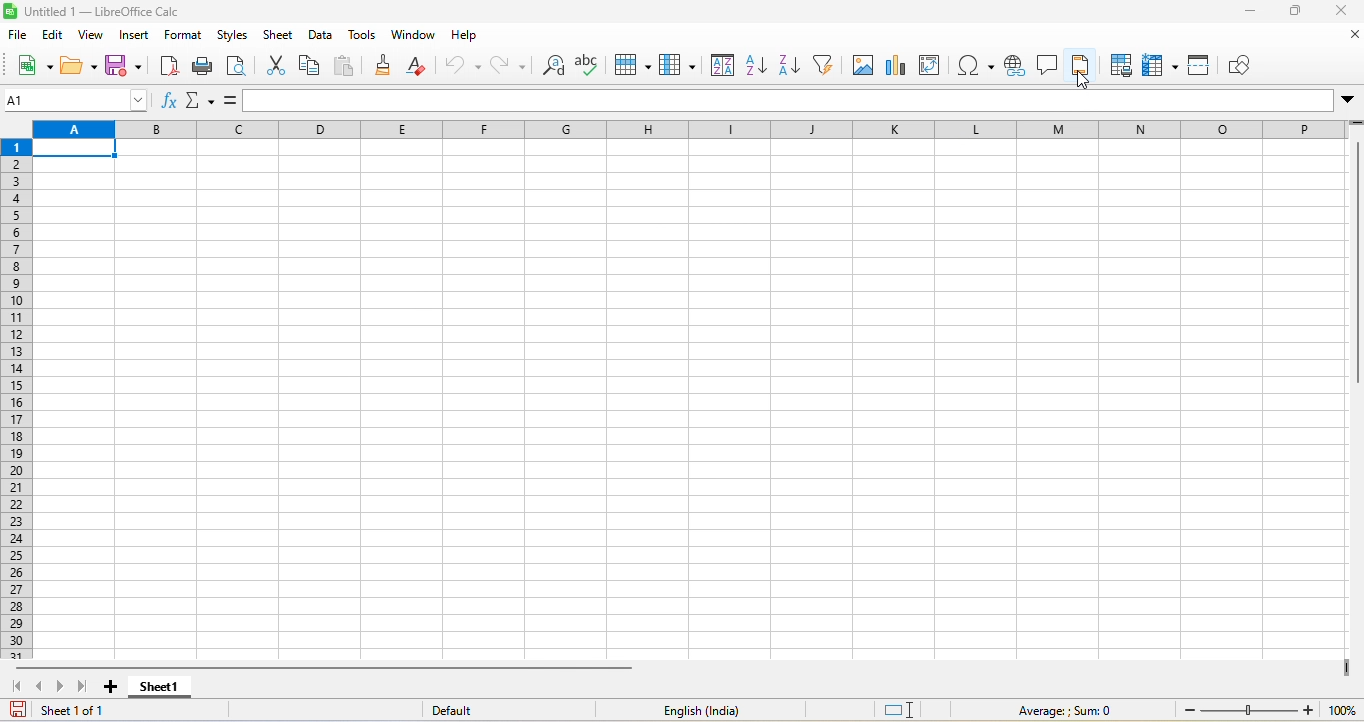 This screenshot has height=722, width=1364. What do you see at coordinates (386, 68) in the screenshot?
I see `clone formatting` at bounding box center [386, 68].